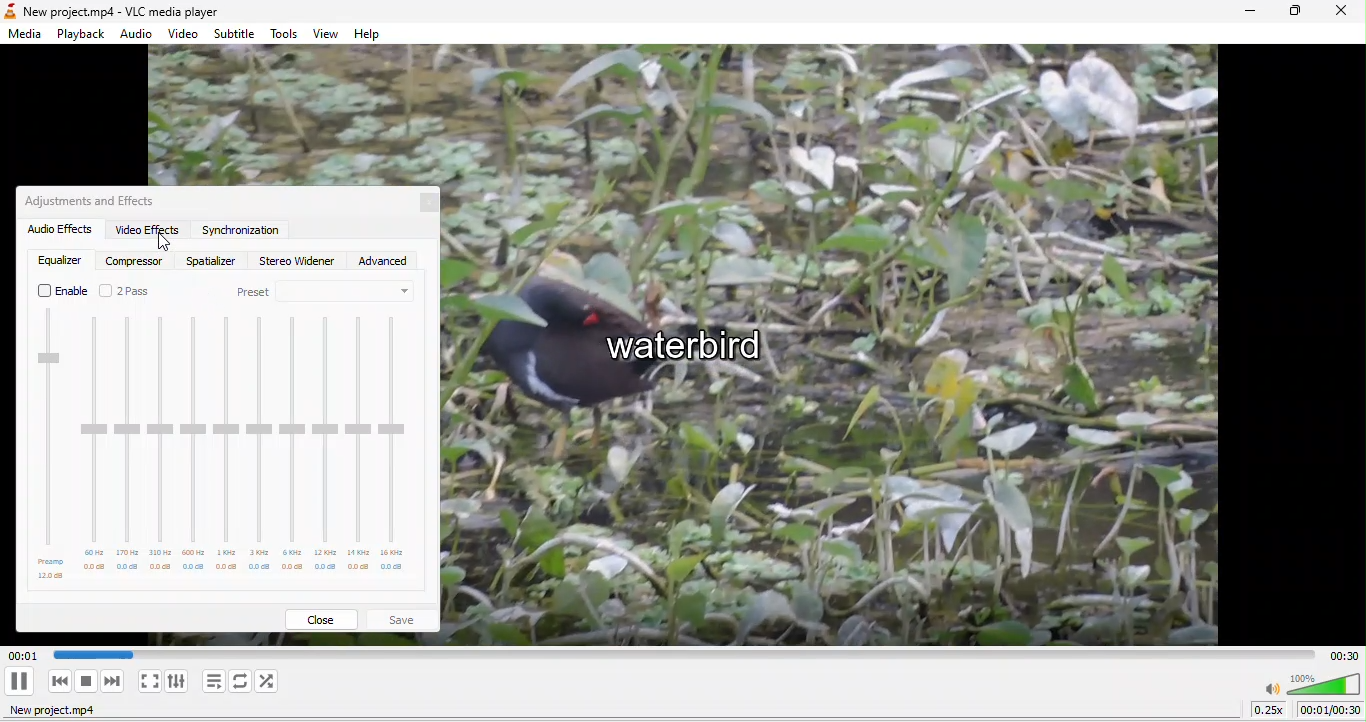 This screenshot has height=722, width=1366. I want to click on 1khz volume bar, so click(226, 446).